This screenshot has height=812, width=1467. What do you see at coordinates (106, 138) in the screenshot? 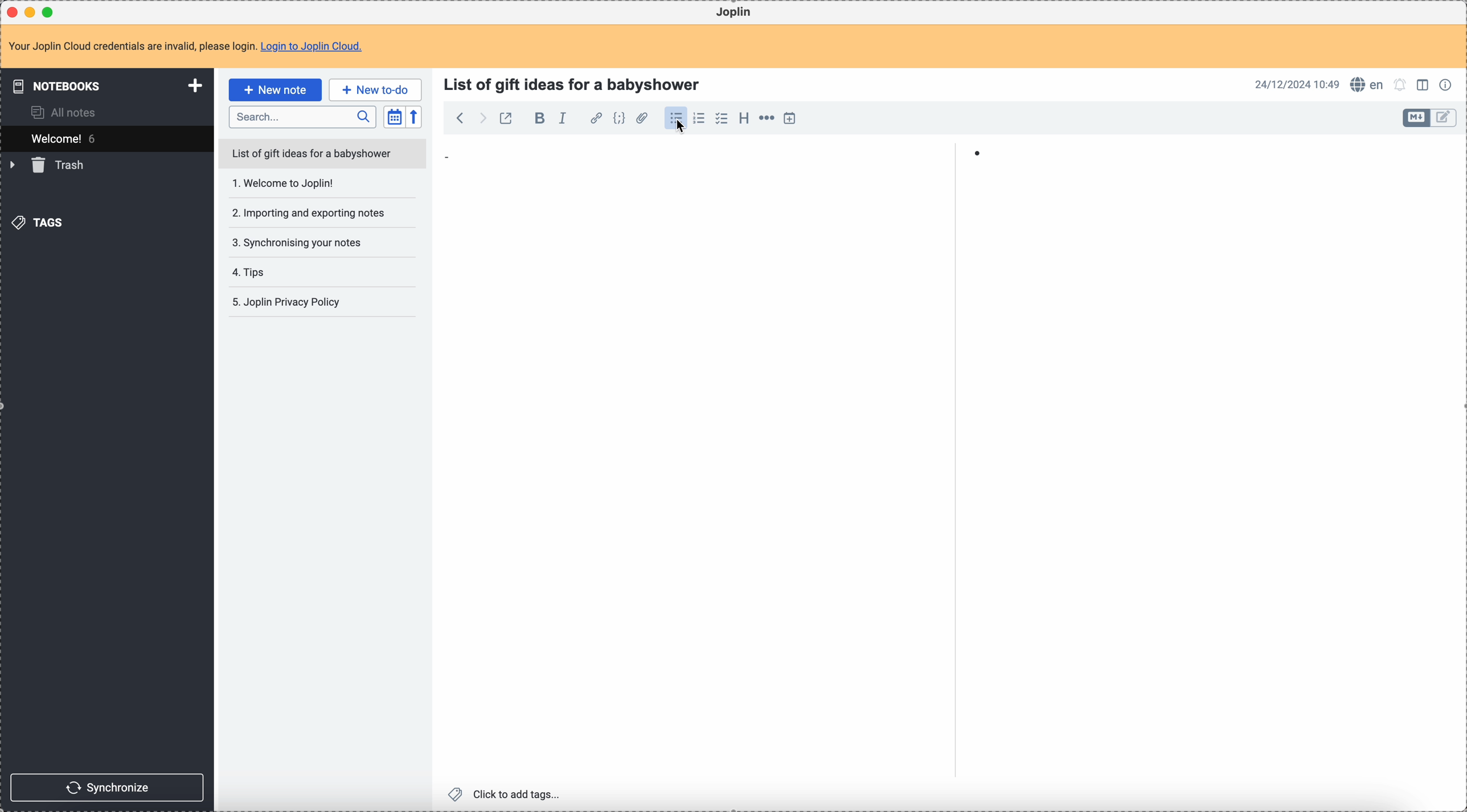
I see `welcome` at bounding box center [106, 138].